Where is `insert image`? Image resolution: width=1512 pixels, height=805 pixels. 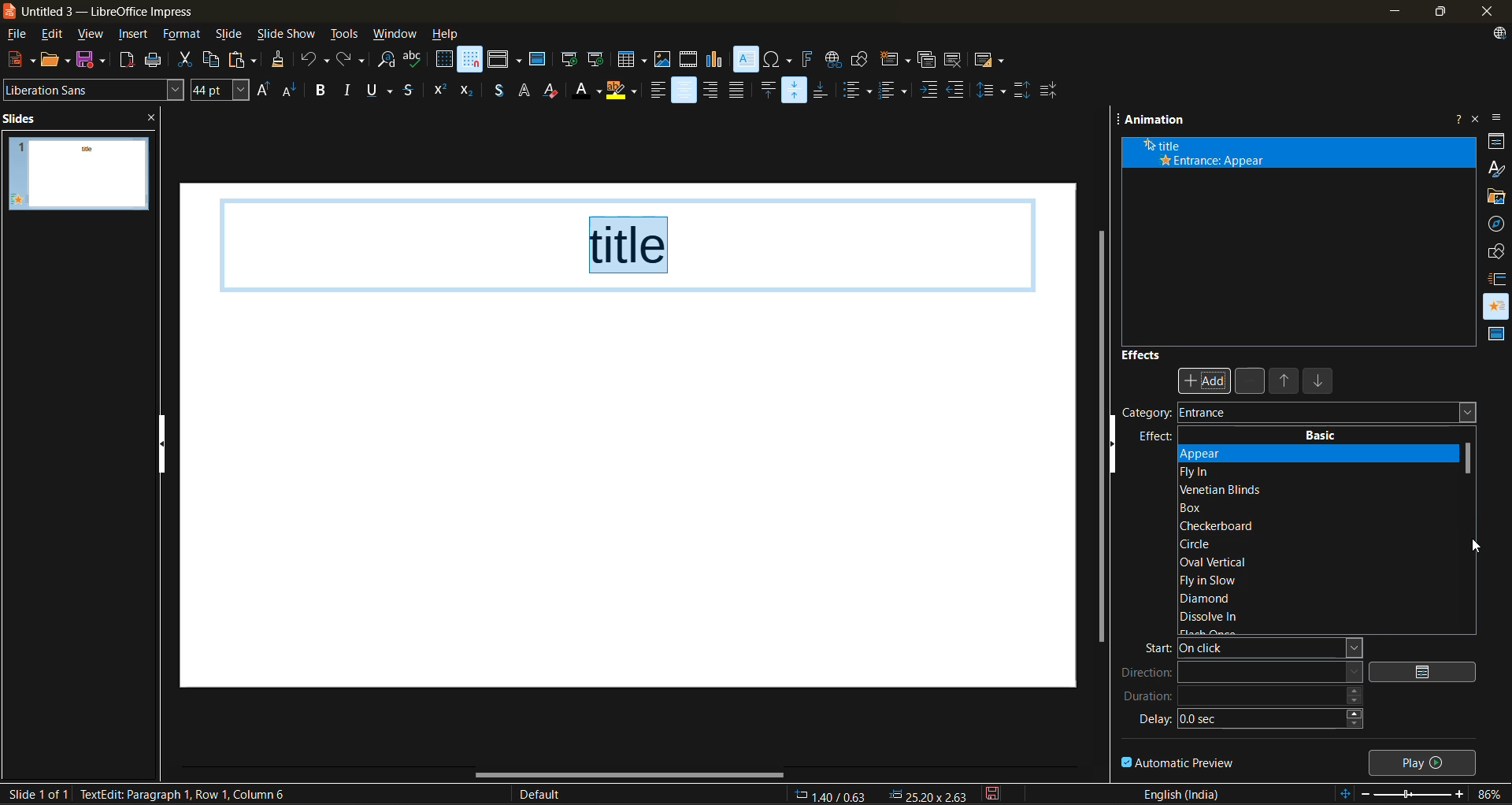
insert image is located at coordinates (665, 60).